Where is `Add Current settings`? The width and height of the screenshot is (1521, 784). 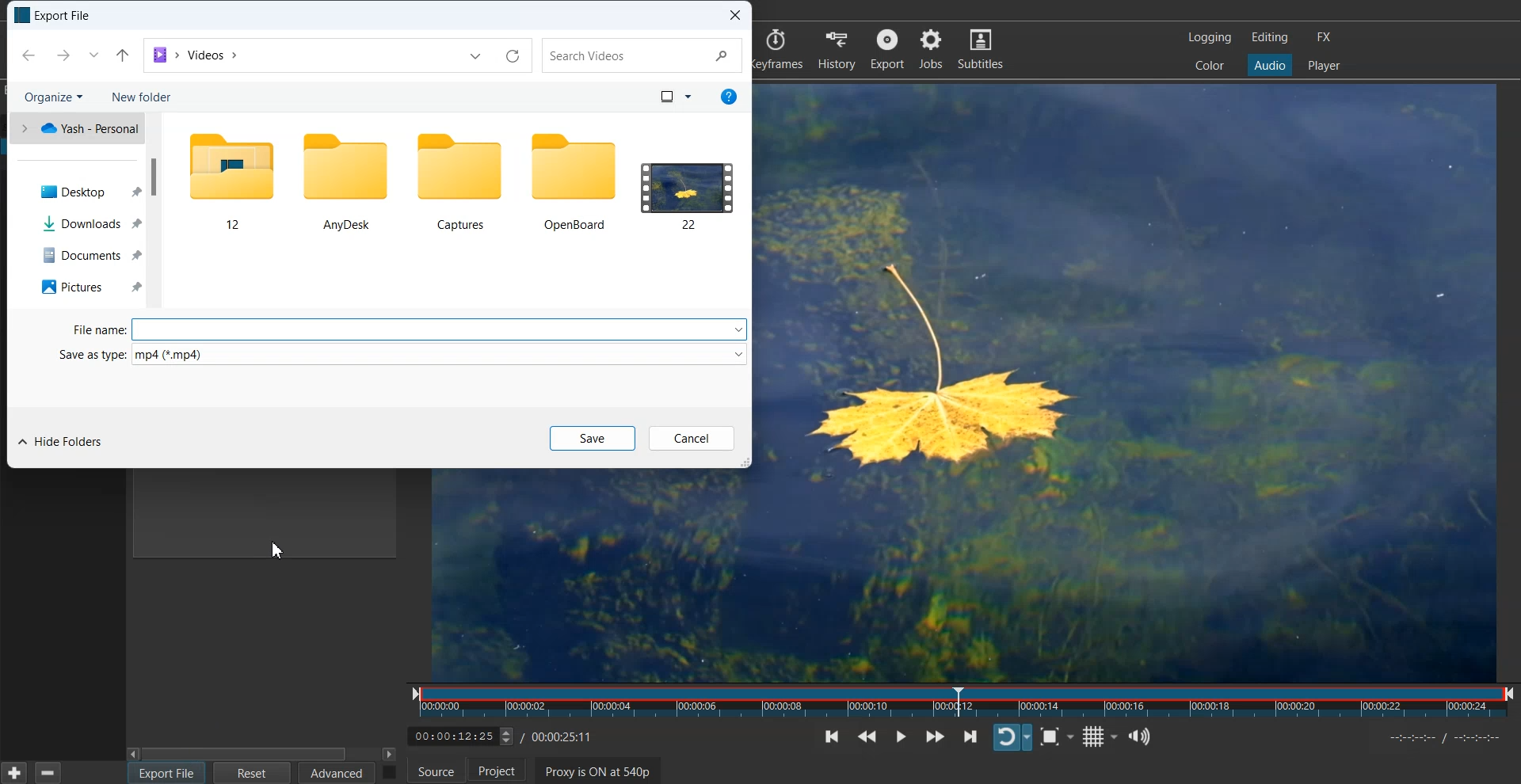
Add Current settings is located at coordinates (14, 771).